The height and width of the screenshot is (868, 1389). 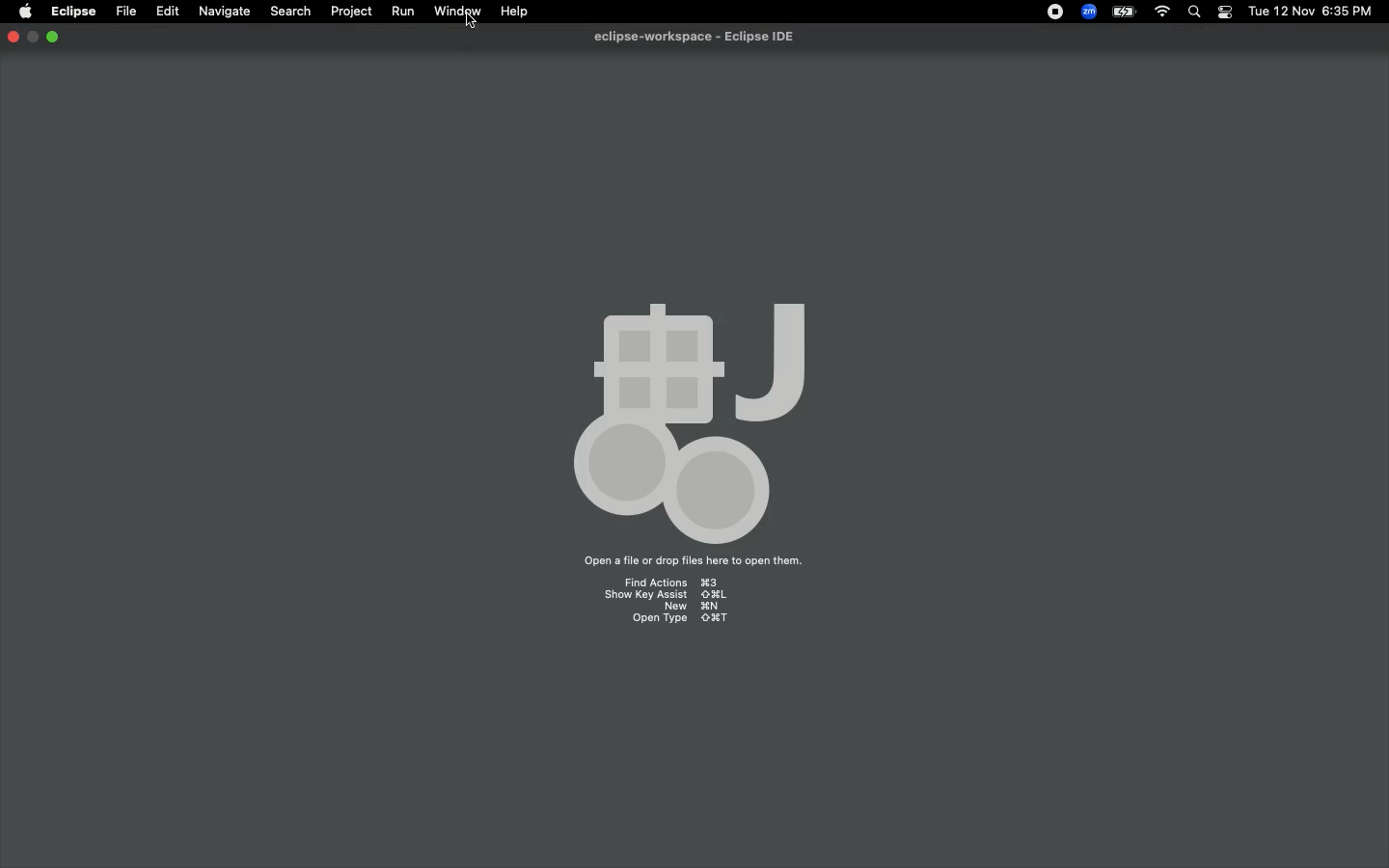 I want to click on Recording, so click(x=1056, y=14).